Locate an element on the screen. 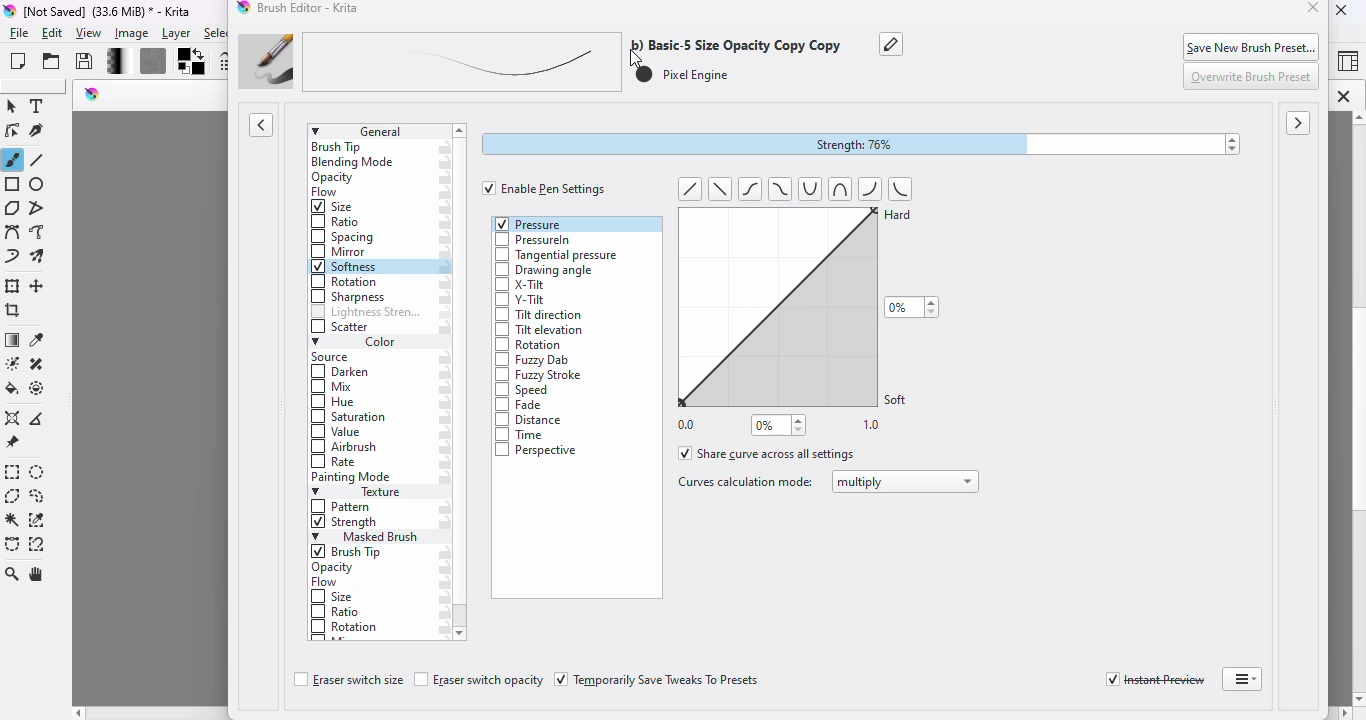 This screenshot has width=1366, height=720. multibrush tool is located at coordinates (40, 257).